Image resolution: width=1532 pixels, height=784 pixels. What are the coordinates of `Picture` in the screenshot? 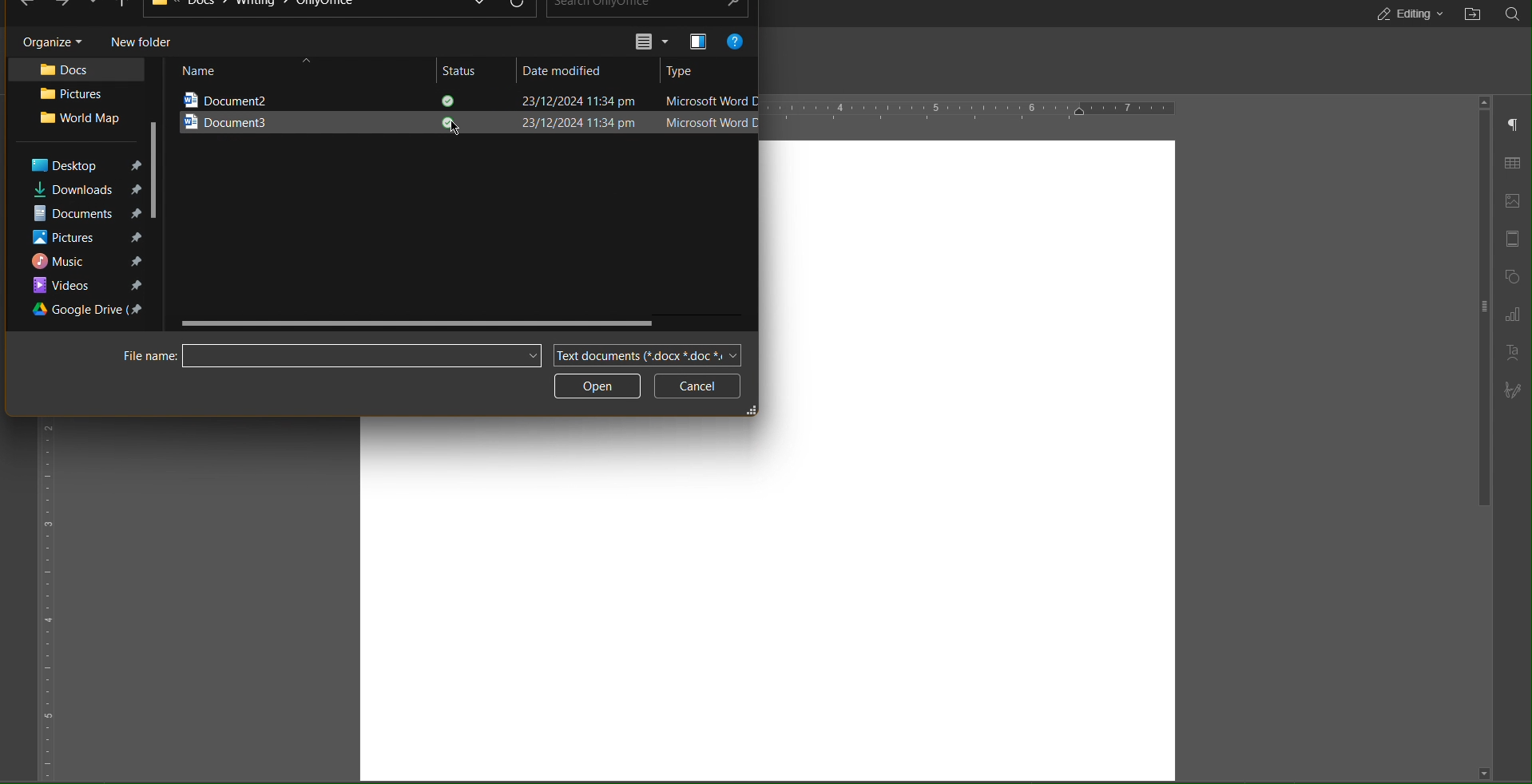 It's located at (66, 95).